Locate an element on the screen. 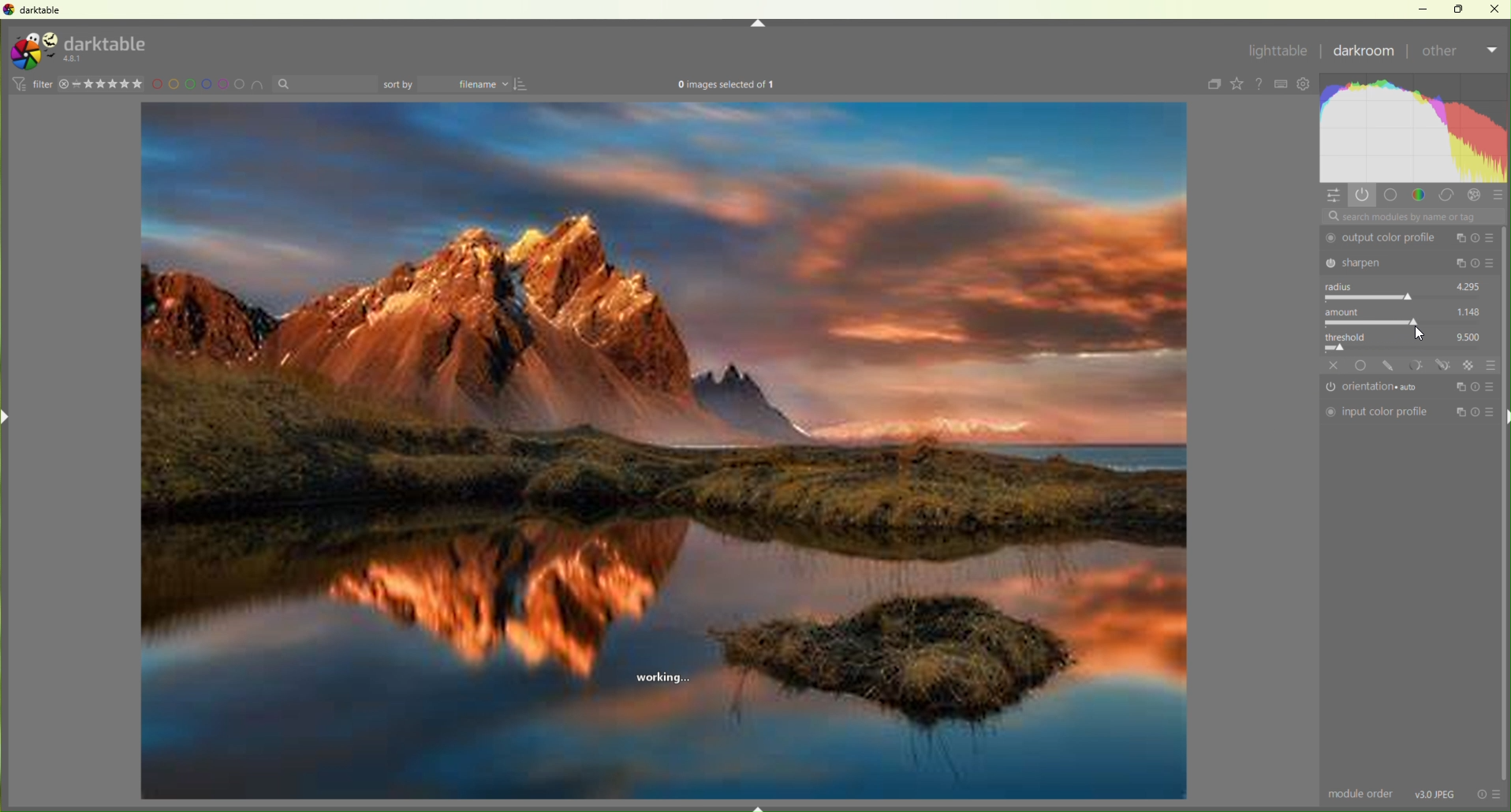 The image size is (1511, 812). value is located at coordinates (1470, 335).